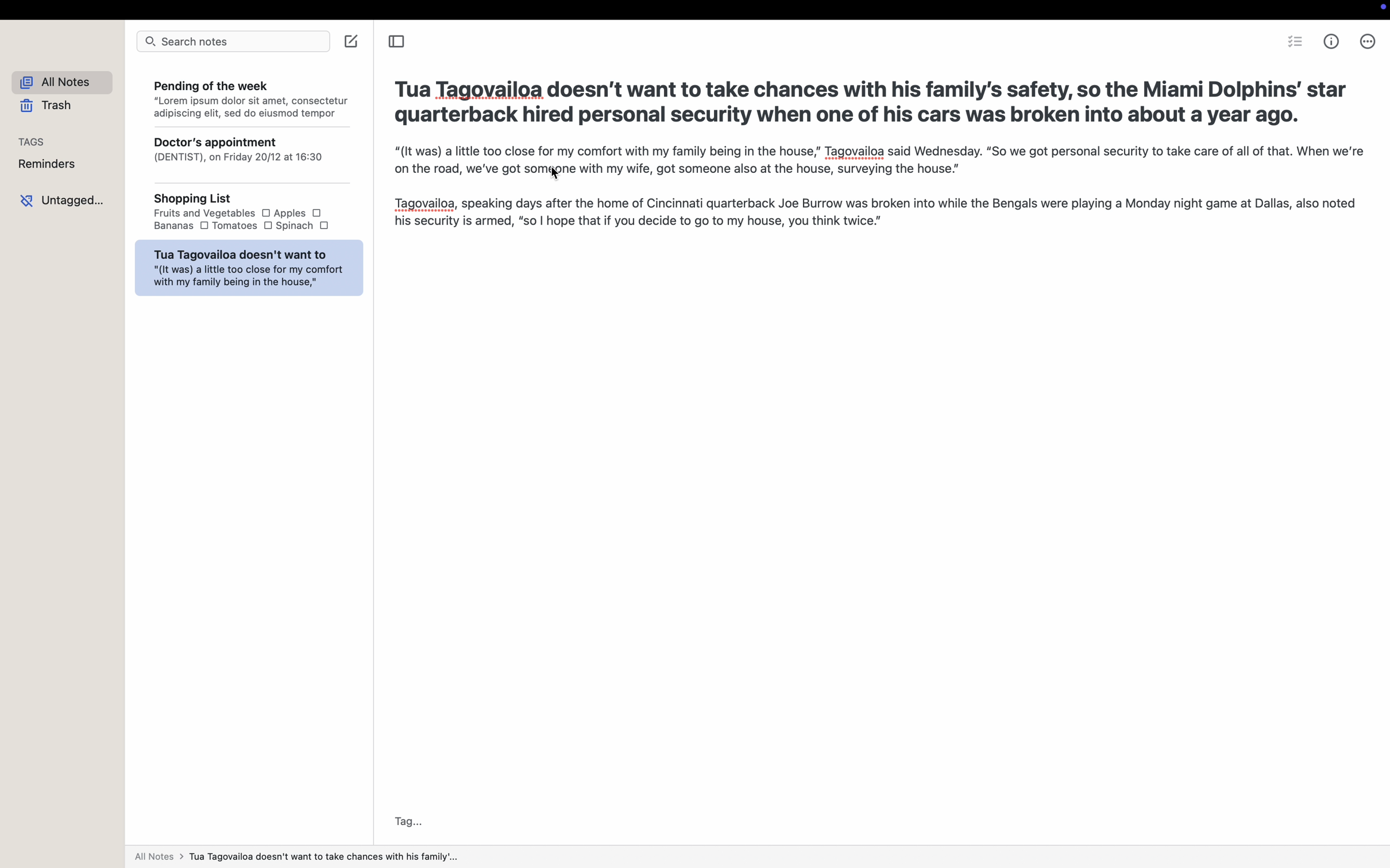  I want to click on Tagovailoa, speaking days after the home of Cincinnati quarterback Joe Burrow was broken into while the Bengals were playing a Monday night game at Dallas, also noted
his security is armed, “so | hope that if you decide to go to my house, you think twice.”, so click(874, 214).